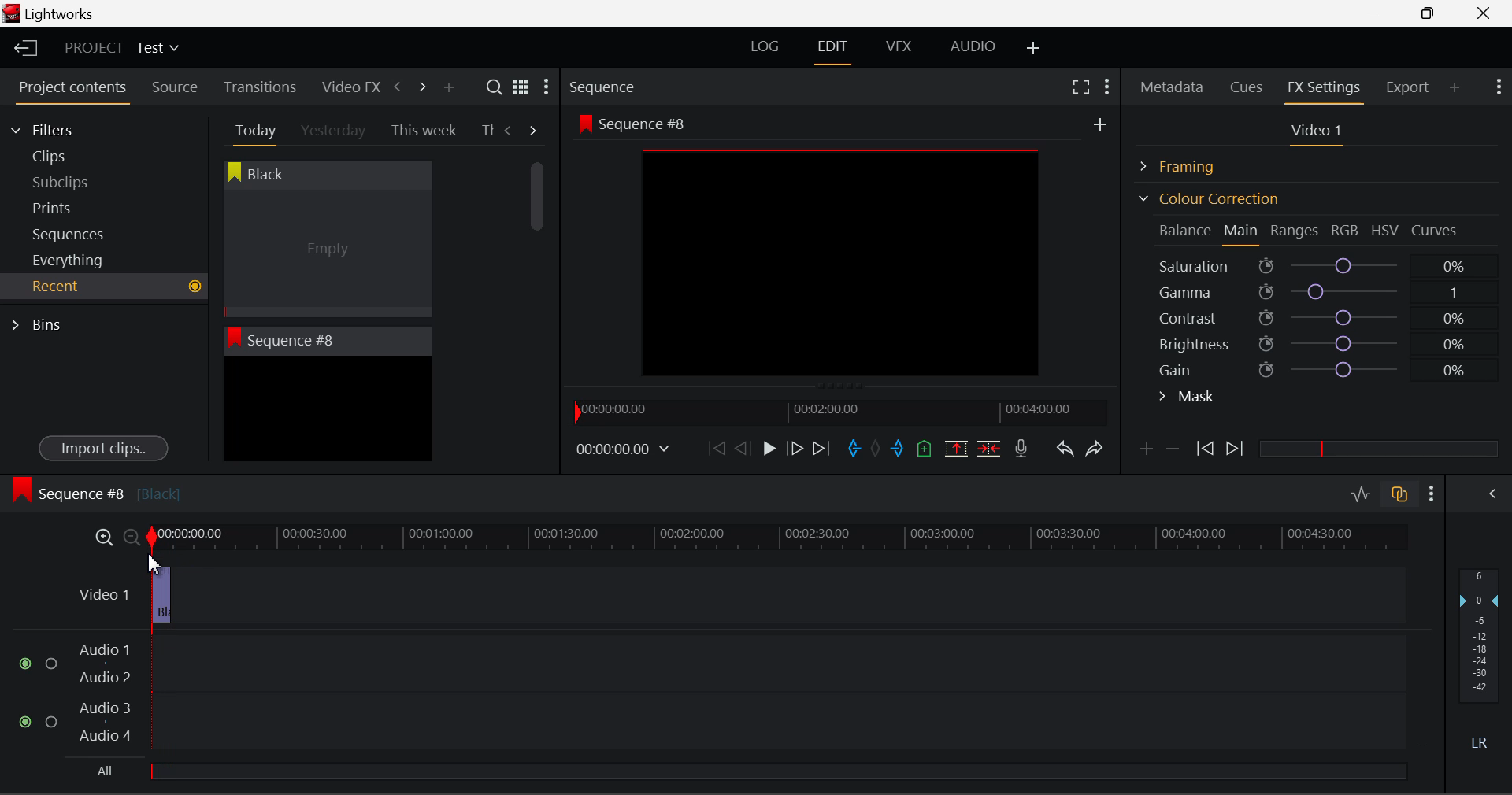 Image resolution: width=1512 pixels, height=795 pixels. What do you see at coordinates (260, 87) in the screenshot?
I see `Transitions` at bounding box center [260, 87].